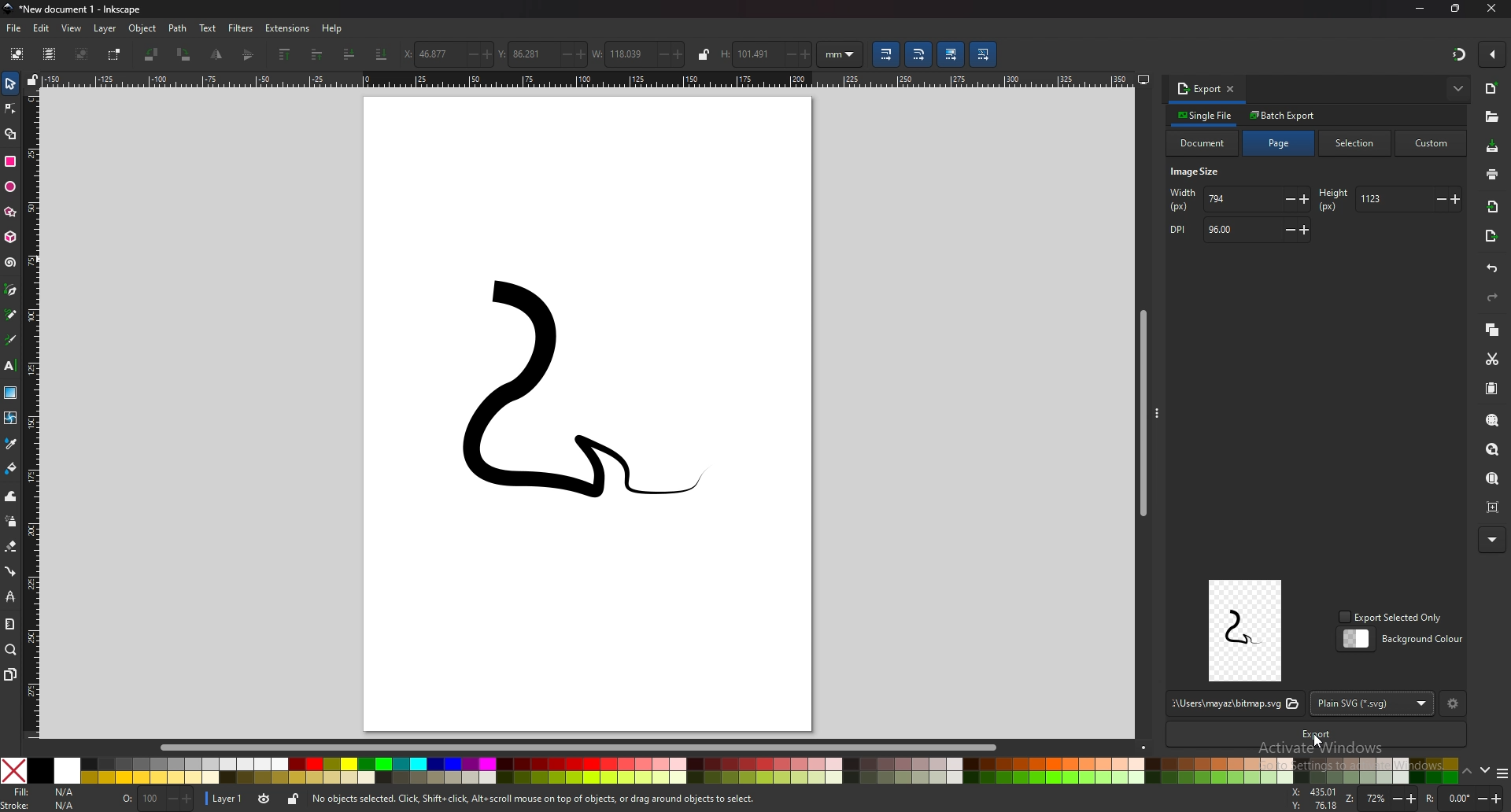 Image resolution: width=1511 pixels, height=812 pixels. What do you see at coordinates (382, 54) in the screenshot?
I see `lower selection to bottom` at bounding box center [382, 54].